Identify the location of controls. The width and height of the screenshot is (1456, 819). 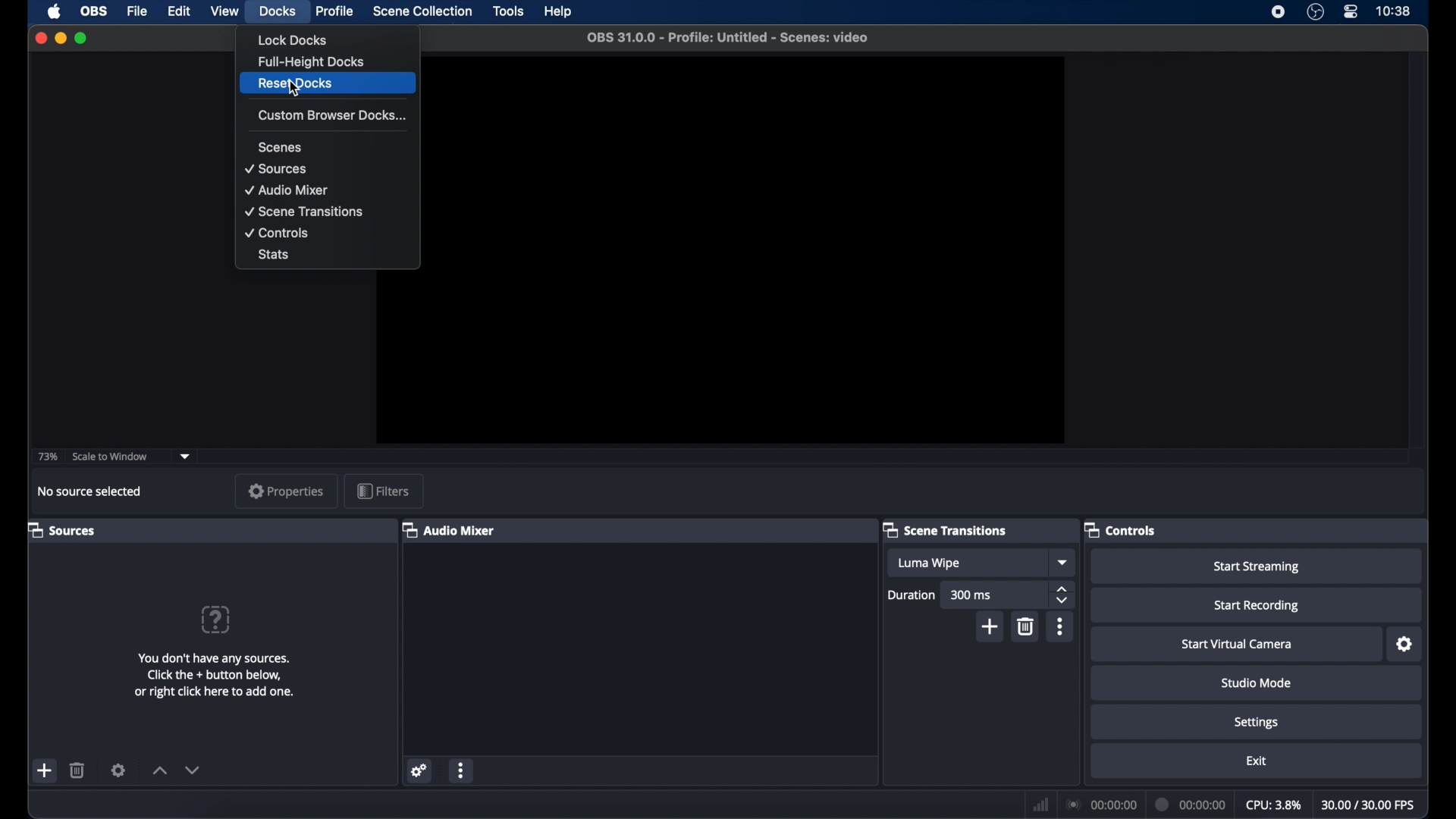
(1120, 529).